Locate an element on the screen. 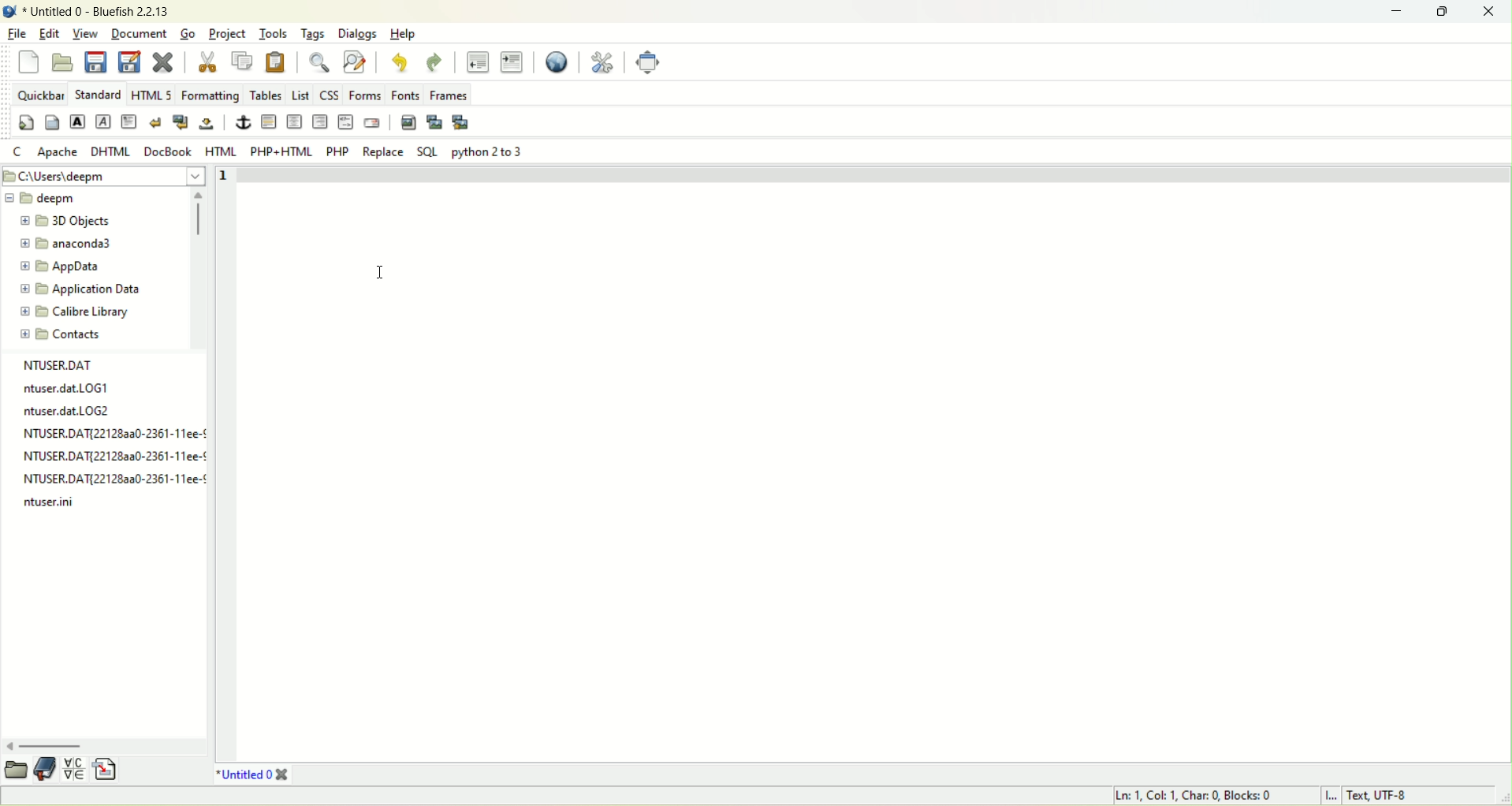 This screenshot has height=806, width=1512. cut is located at coordinates (209, 62).